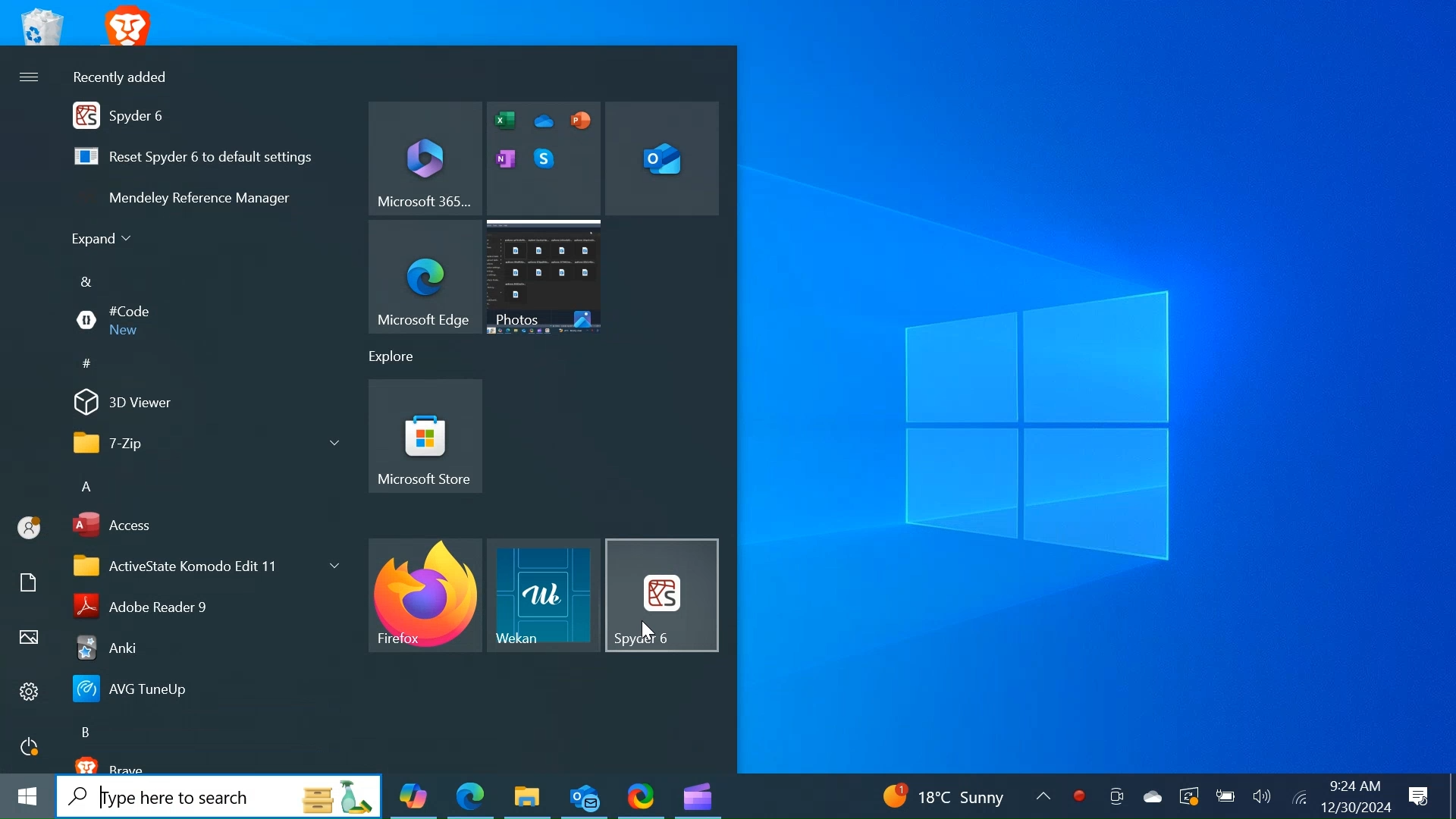  Describe the element at coordinates (89, 282) in the screenshot. I see `&` at that location.